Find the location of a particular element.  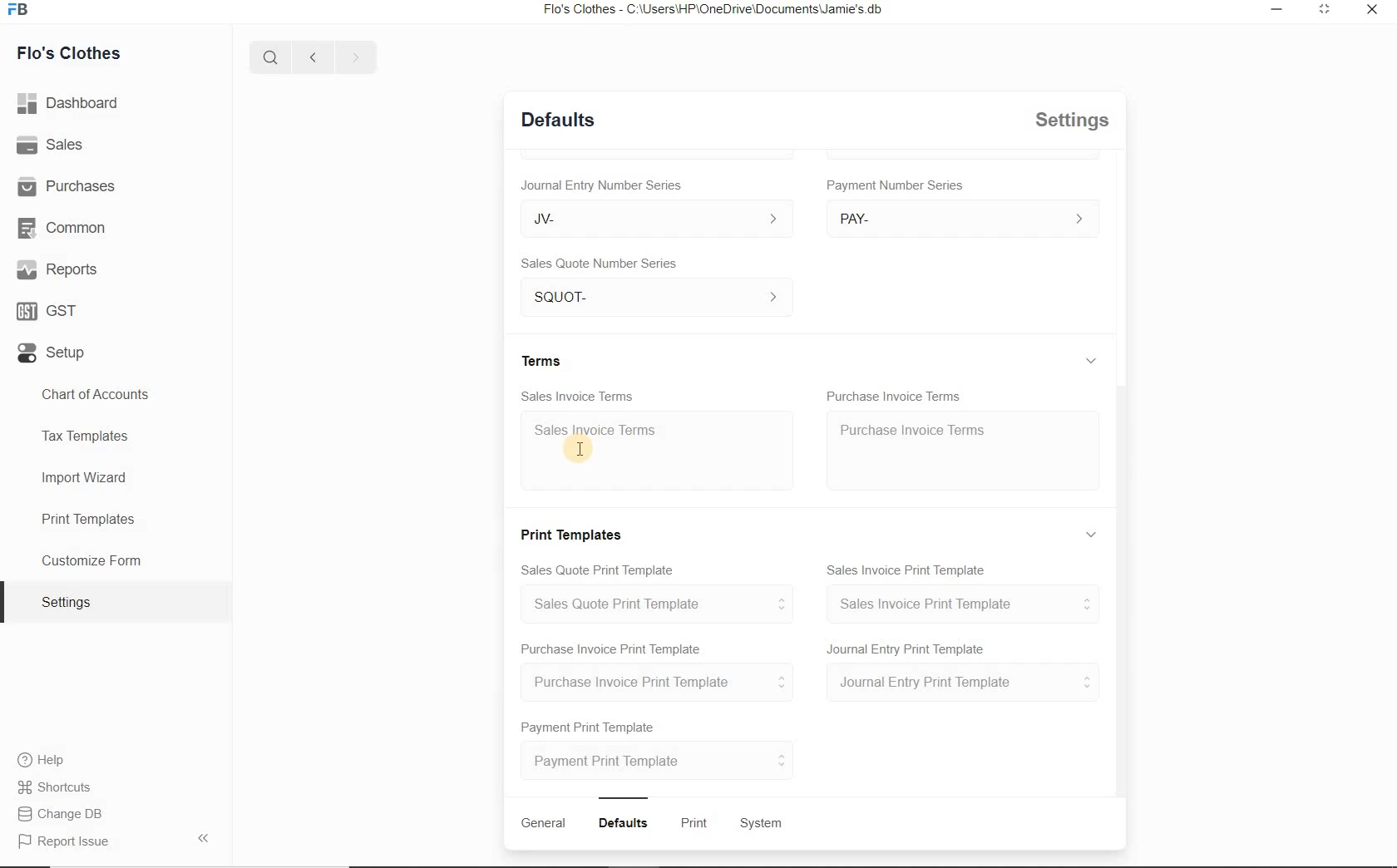

Chart of Accounts is located at coordinates (96, 393).